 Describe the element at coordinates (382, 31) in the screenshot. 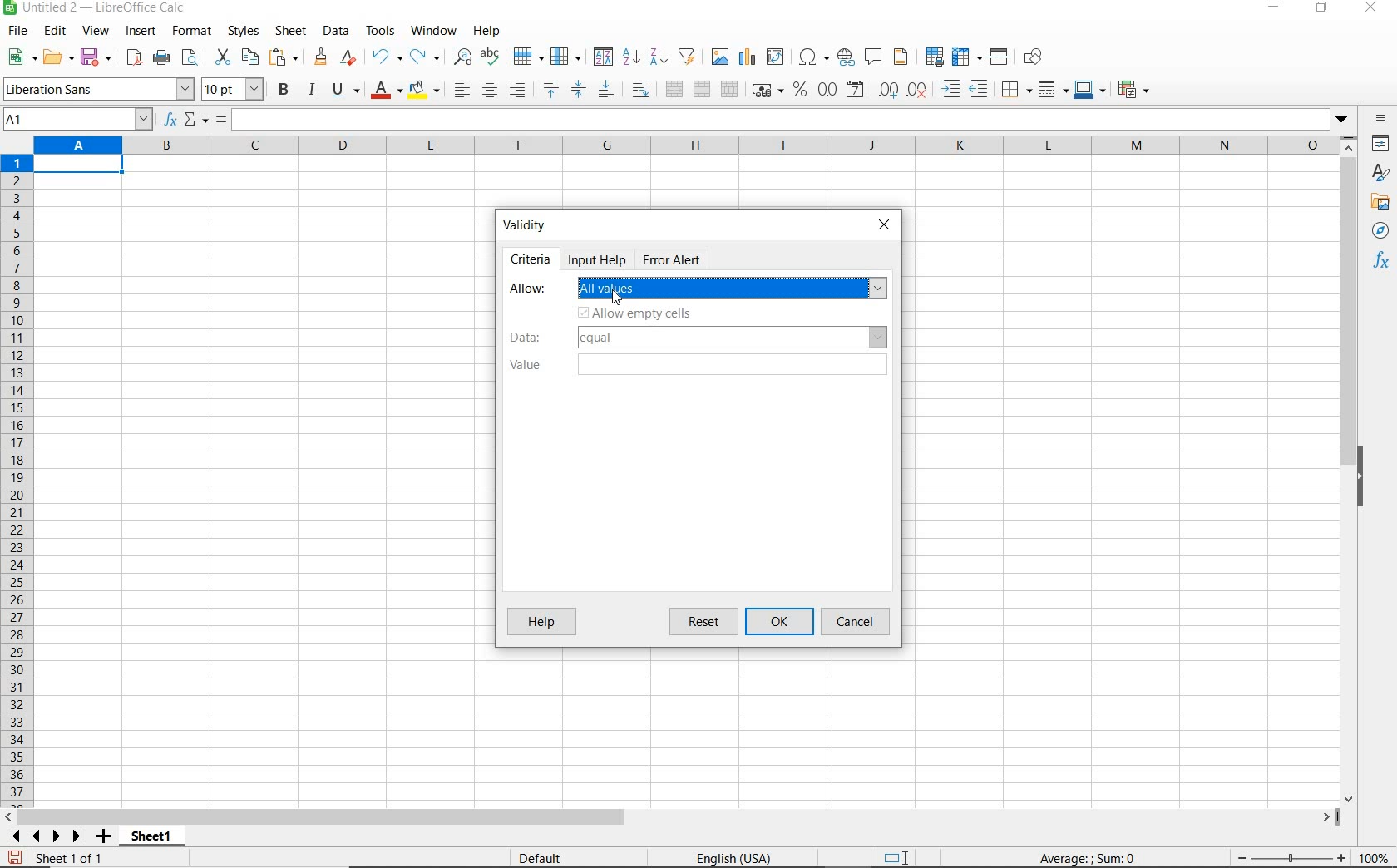

I see `tools` at that location.